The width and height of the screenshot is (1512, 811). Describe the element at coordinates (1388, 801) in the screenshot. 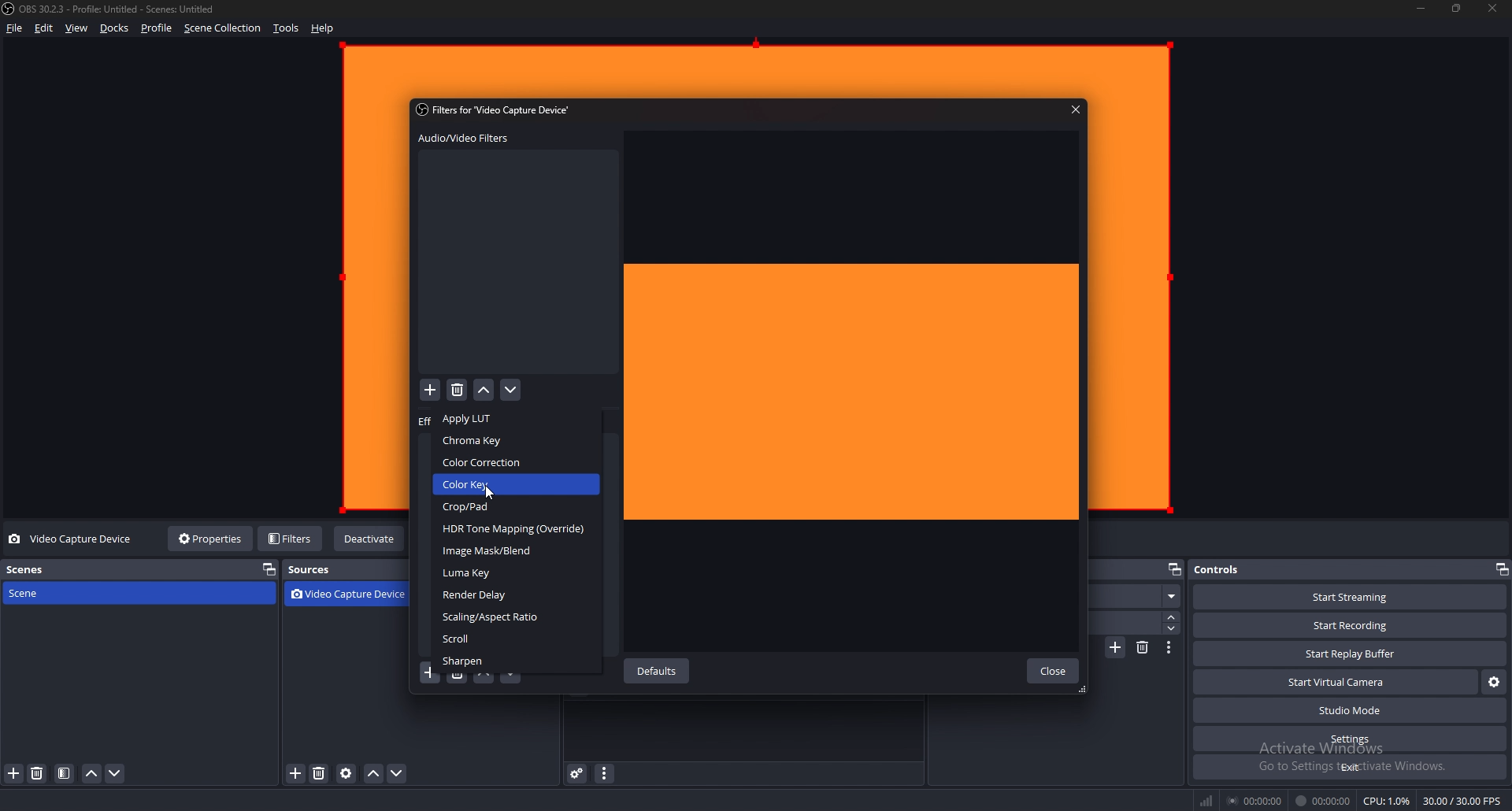

I see `CPU: 1.2%` at that location.